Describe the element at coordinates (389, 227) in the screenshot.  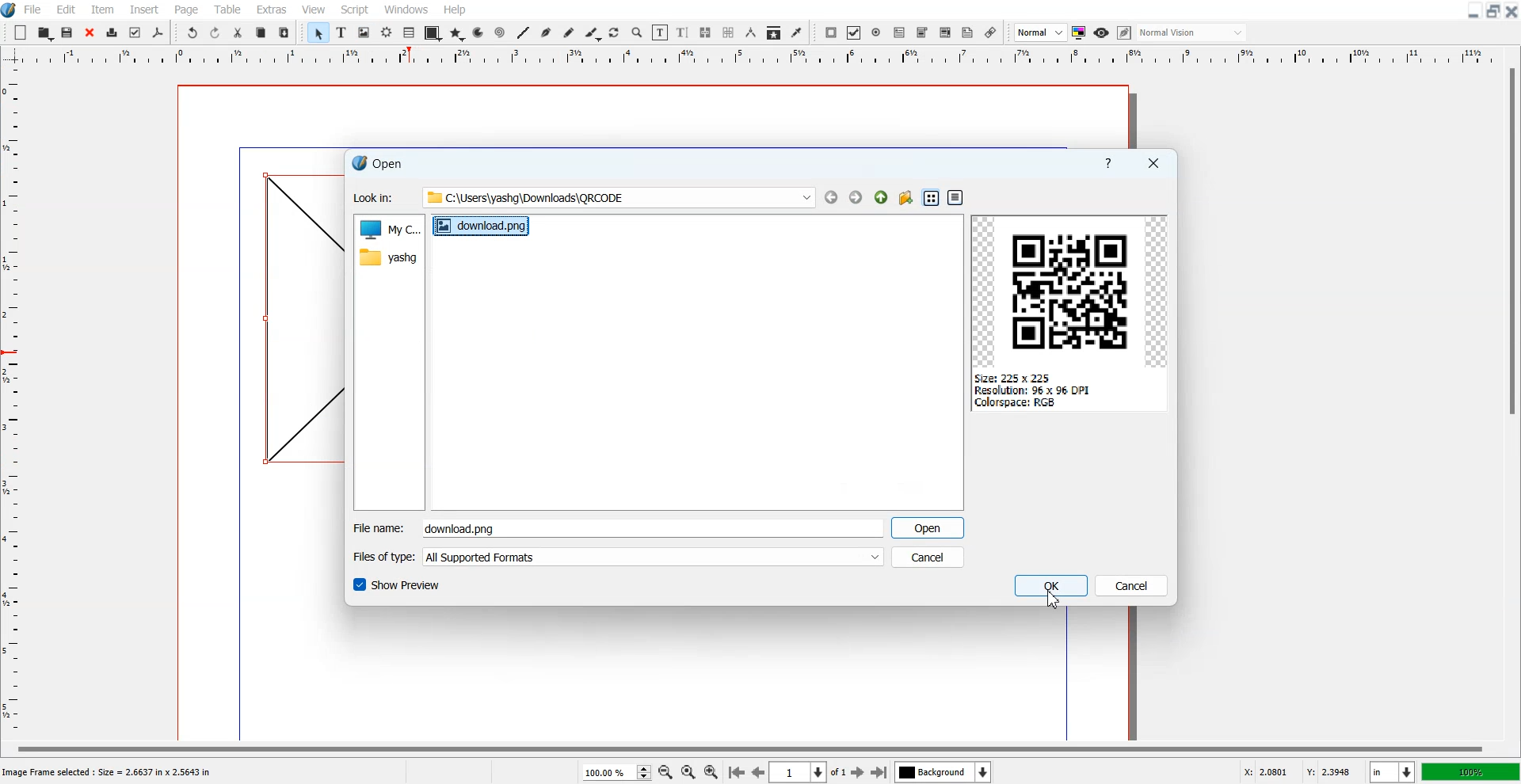
I see `My computer` at that location.